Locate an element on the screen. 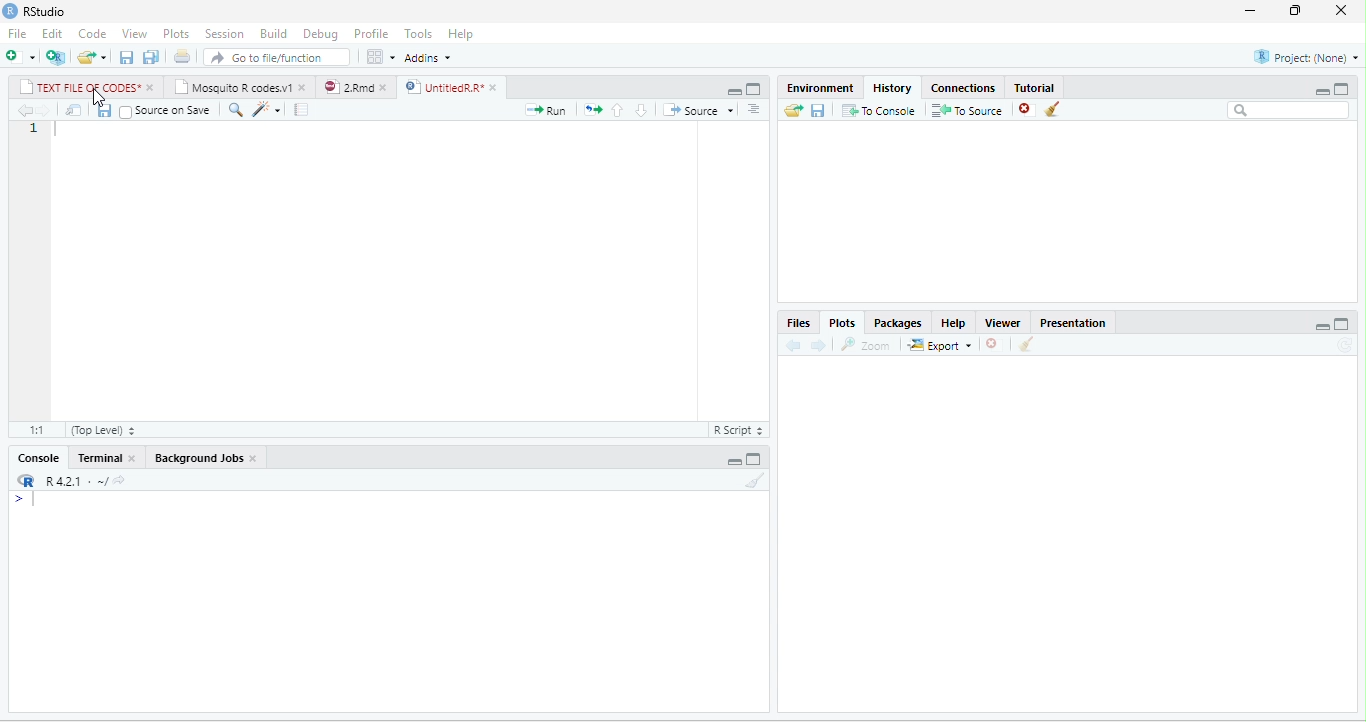 The image size is (1366, 722). open in new window is located at coordinates (74, 109).